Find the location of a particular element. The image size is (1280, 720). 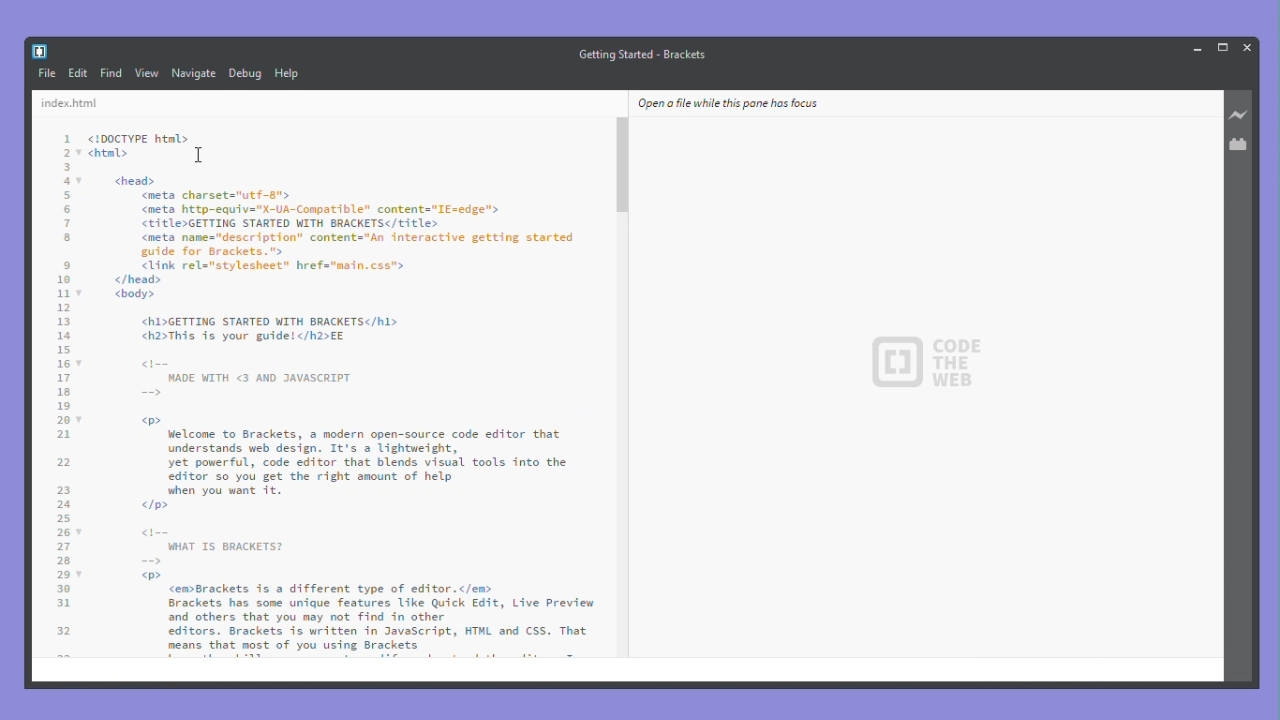

getting started - brackets is located at coordinates (646, 53).